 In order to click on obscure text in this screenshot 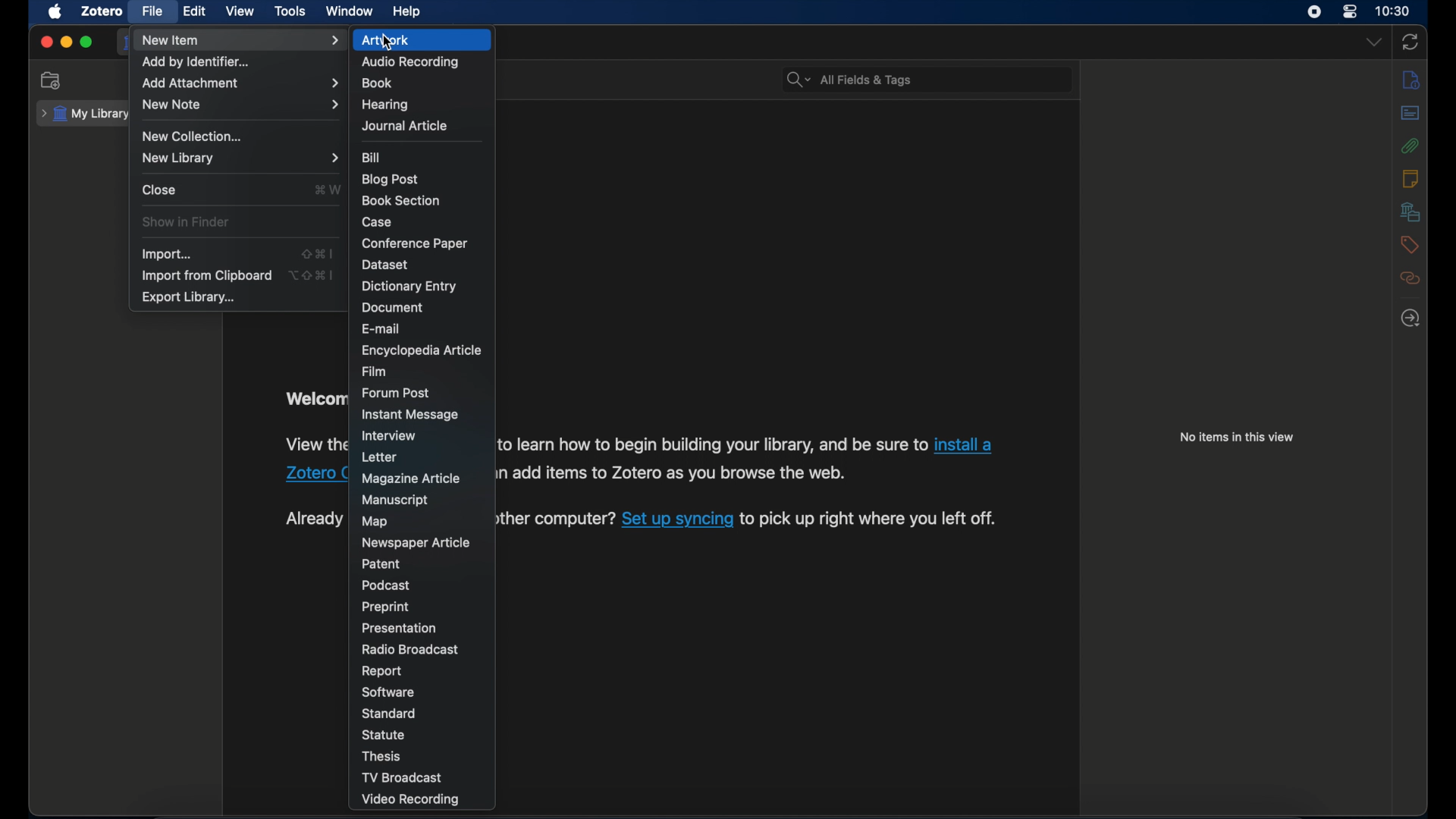, I will do `click(314, 447)`.